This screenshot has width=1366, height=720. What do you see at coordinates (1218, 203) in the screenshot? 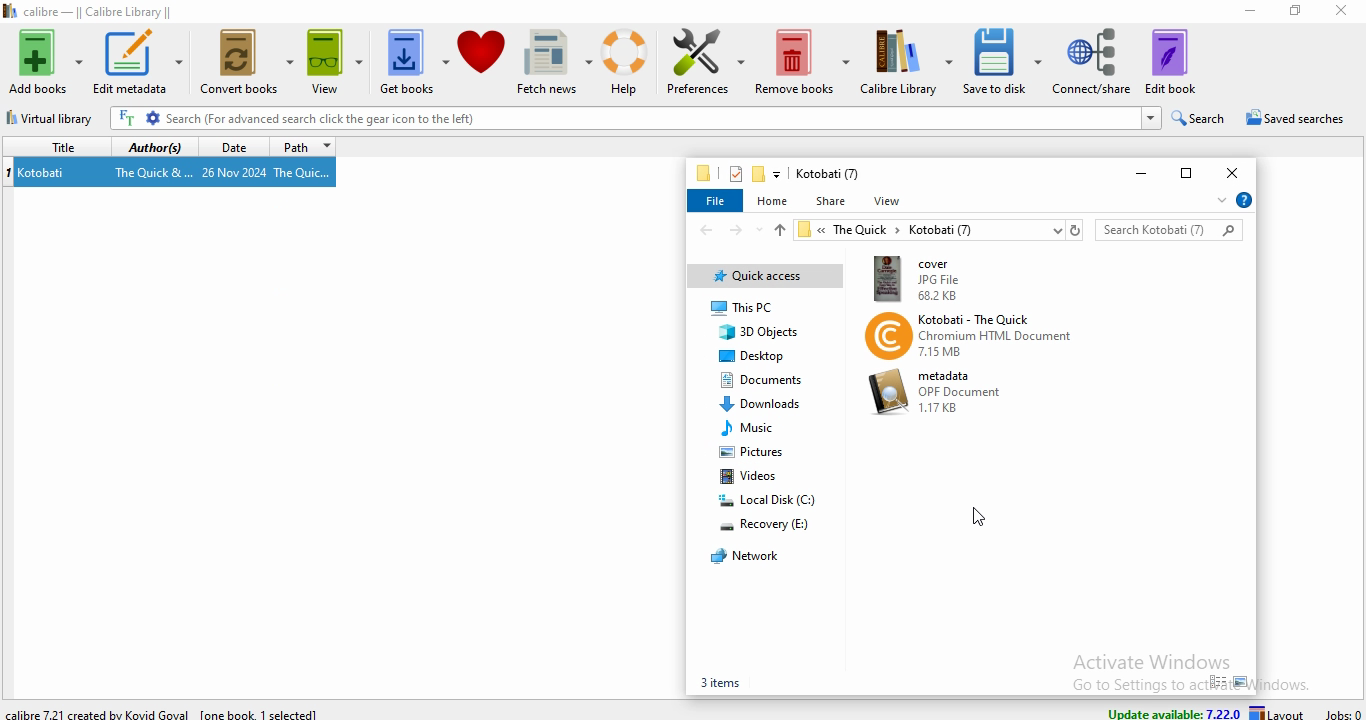
I see `expand` at bounding box center [1218, 203].